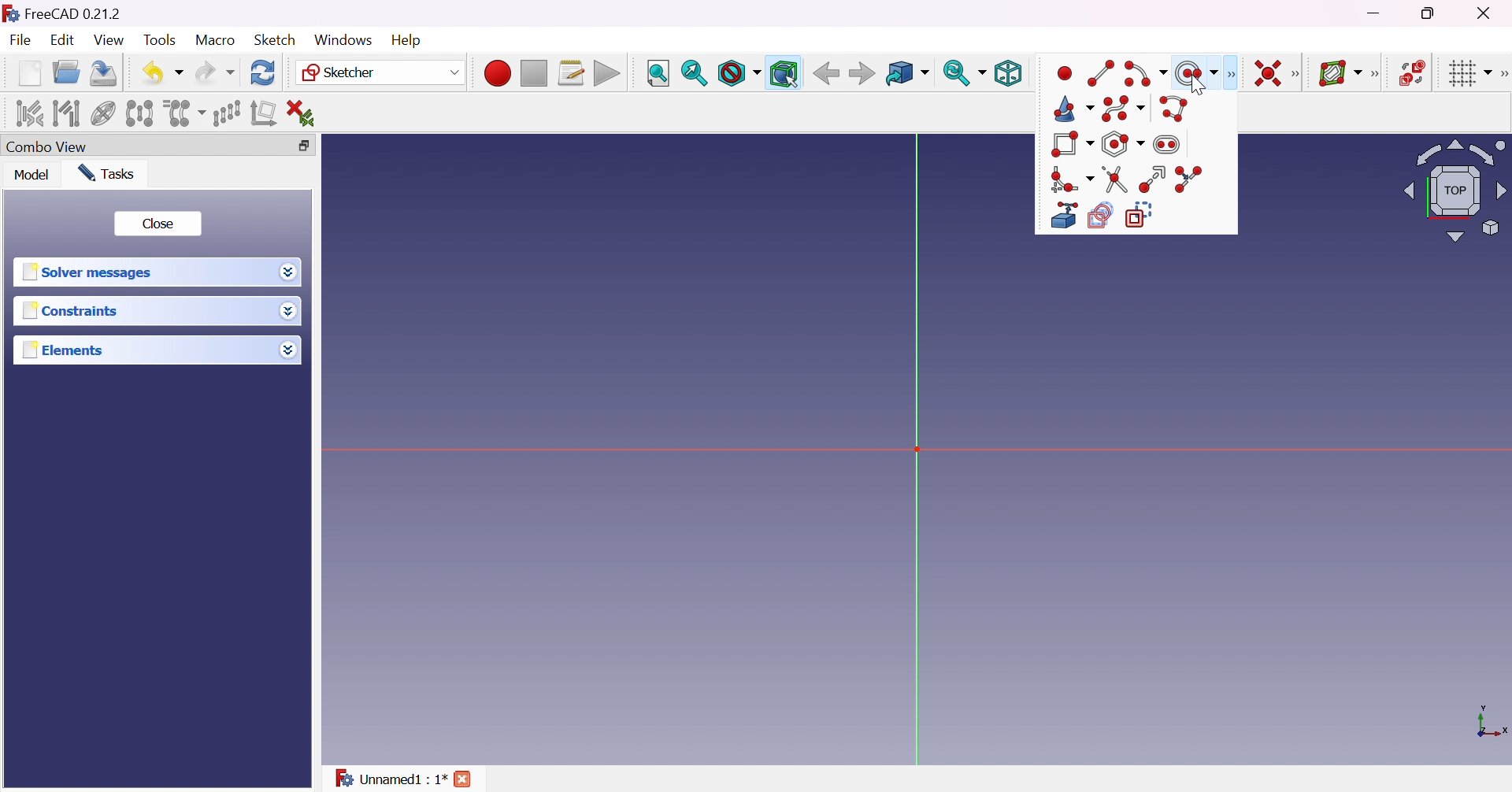 This screenshot has height=792, width=1512. Describe the element at coordinates (1125, 143) in the screenshot. I see `Create hexagon` at that location.